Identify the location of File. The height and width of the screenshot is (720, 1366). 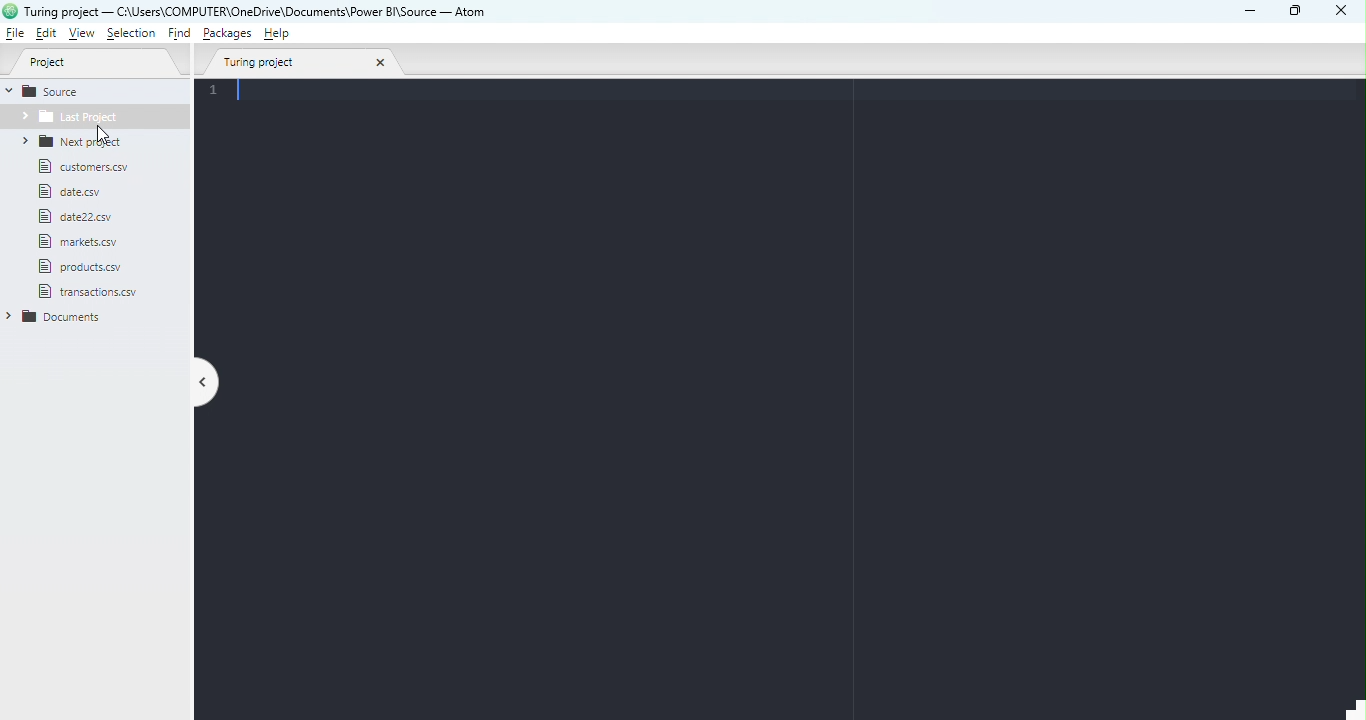
(79, 242).